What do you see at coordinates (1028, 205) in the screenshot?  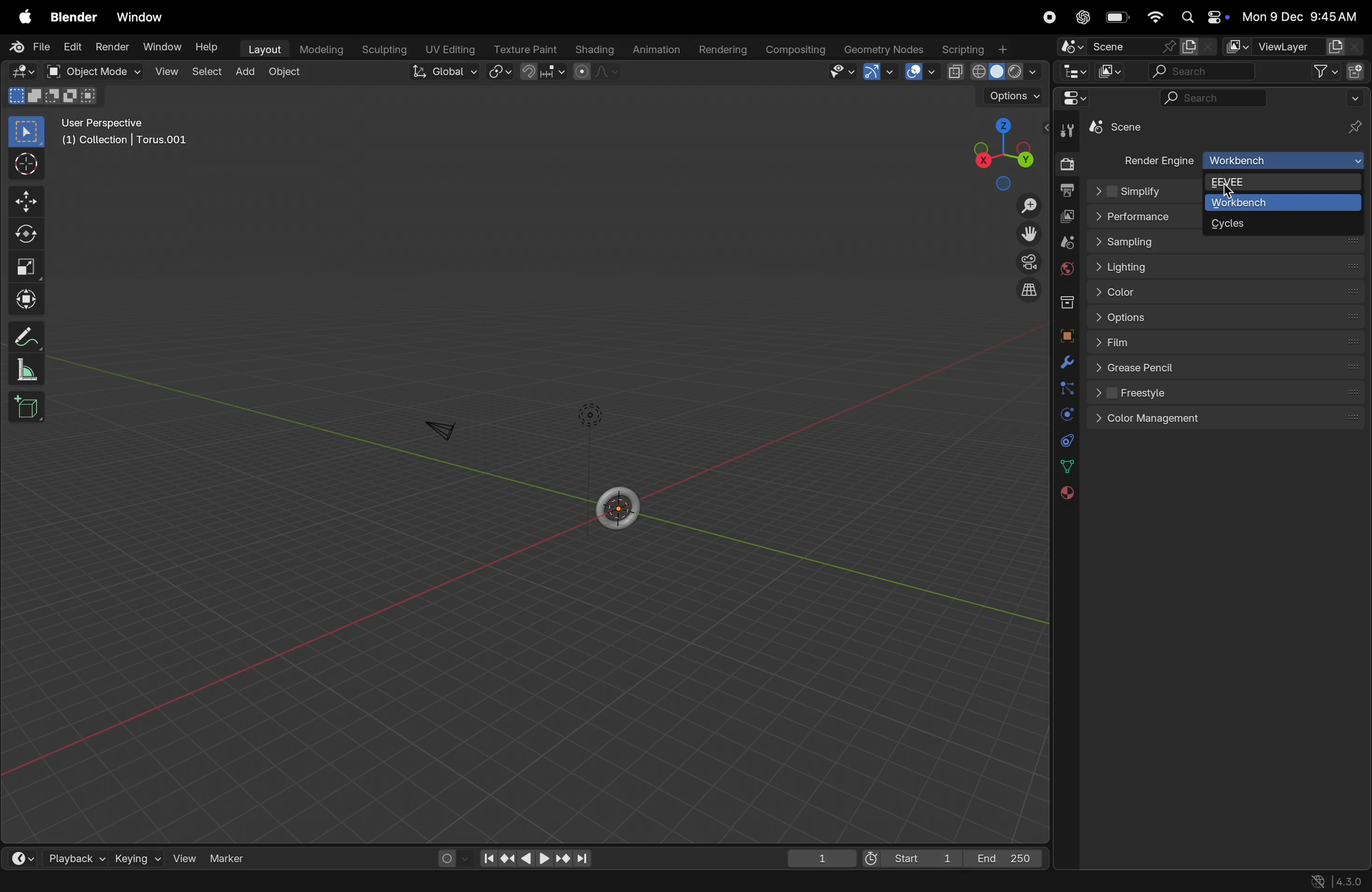 I see `Zoom in out` at bounding box center [1028, 205].